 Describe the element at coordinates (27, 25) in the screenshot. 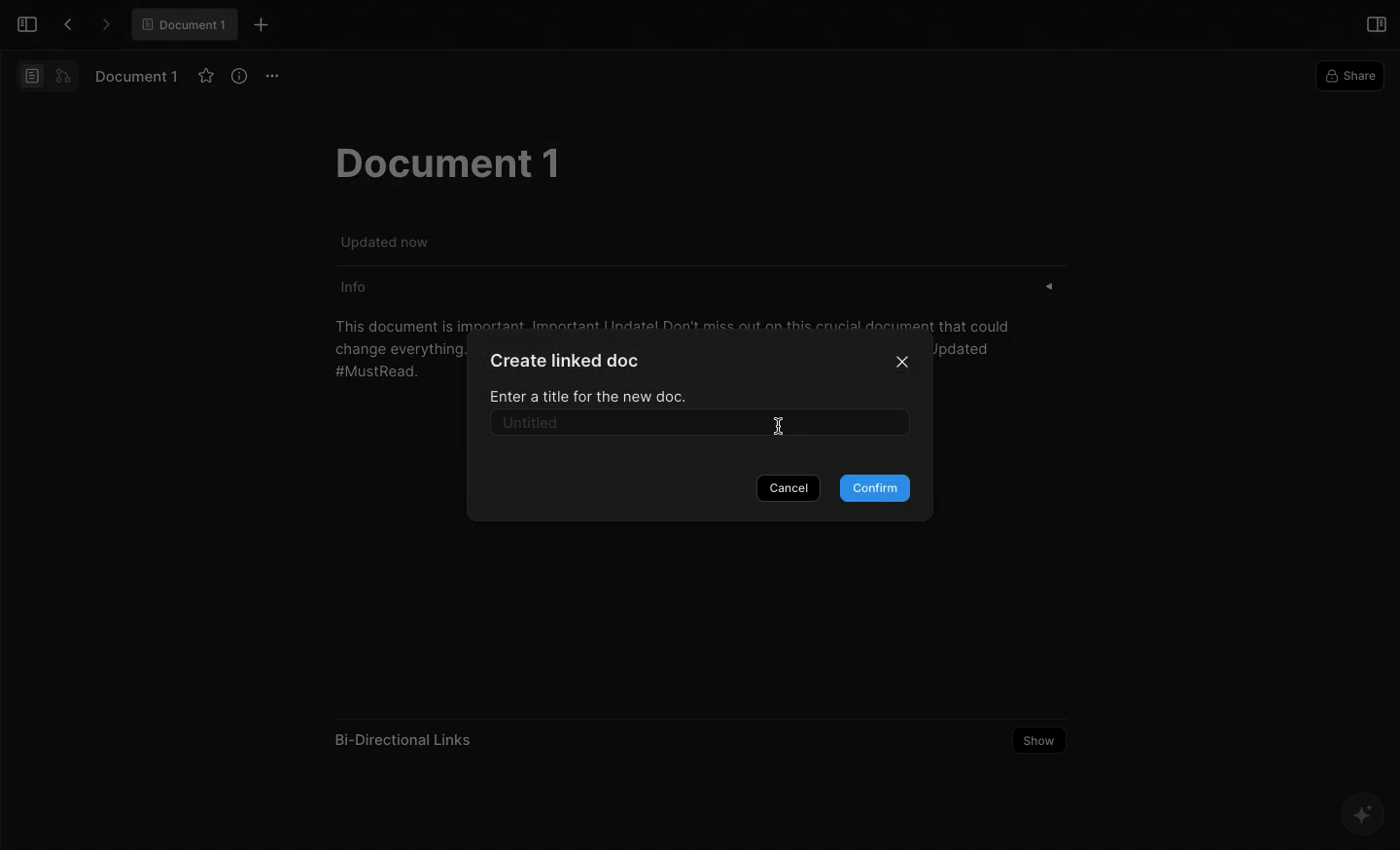

I see `Open sidebar` at that location.